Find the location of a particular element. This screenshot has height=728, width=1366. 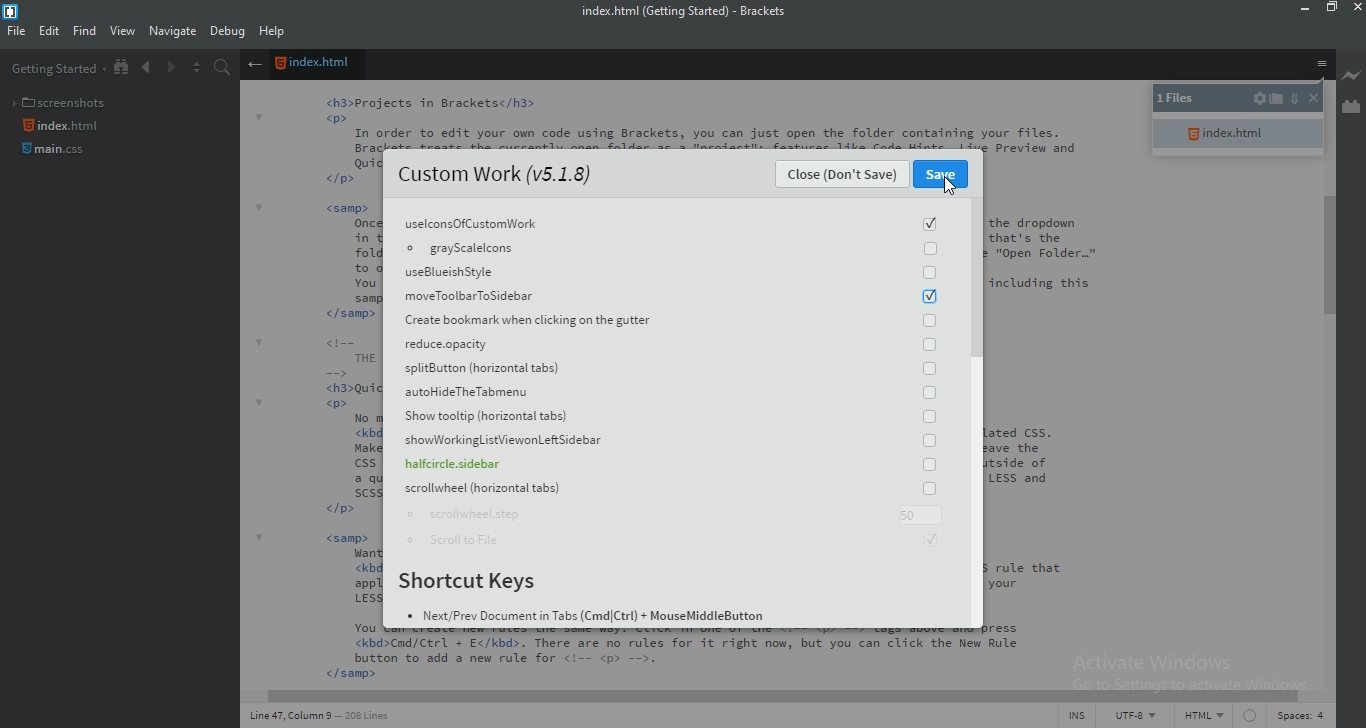

View is located at coordinates (123, 32).